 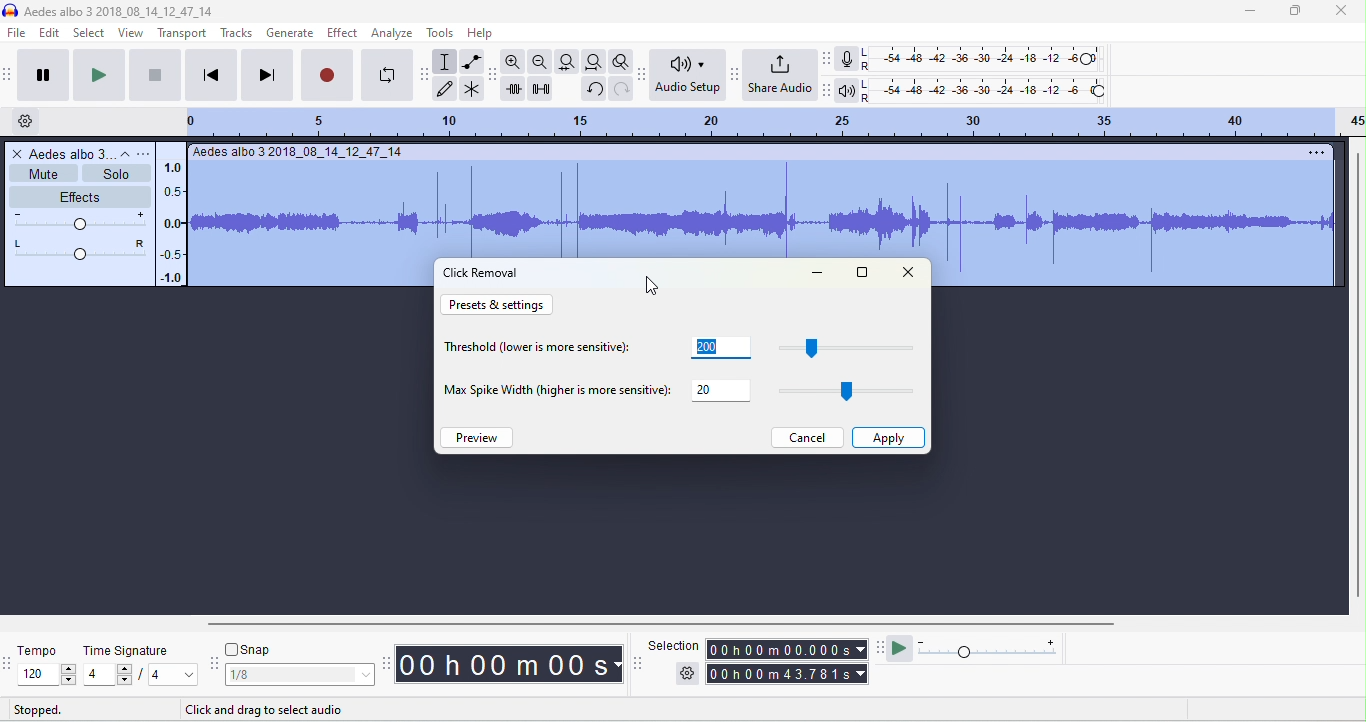 What do you see at coordinates (495, 306) in the screenshot?
I see `preset and settings` at bounding box center [495, 306].